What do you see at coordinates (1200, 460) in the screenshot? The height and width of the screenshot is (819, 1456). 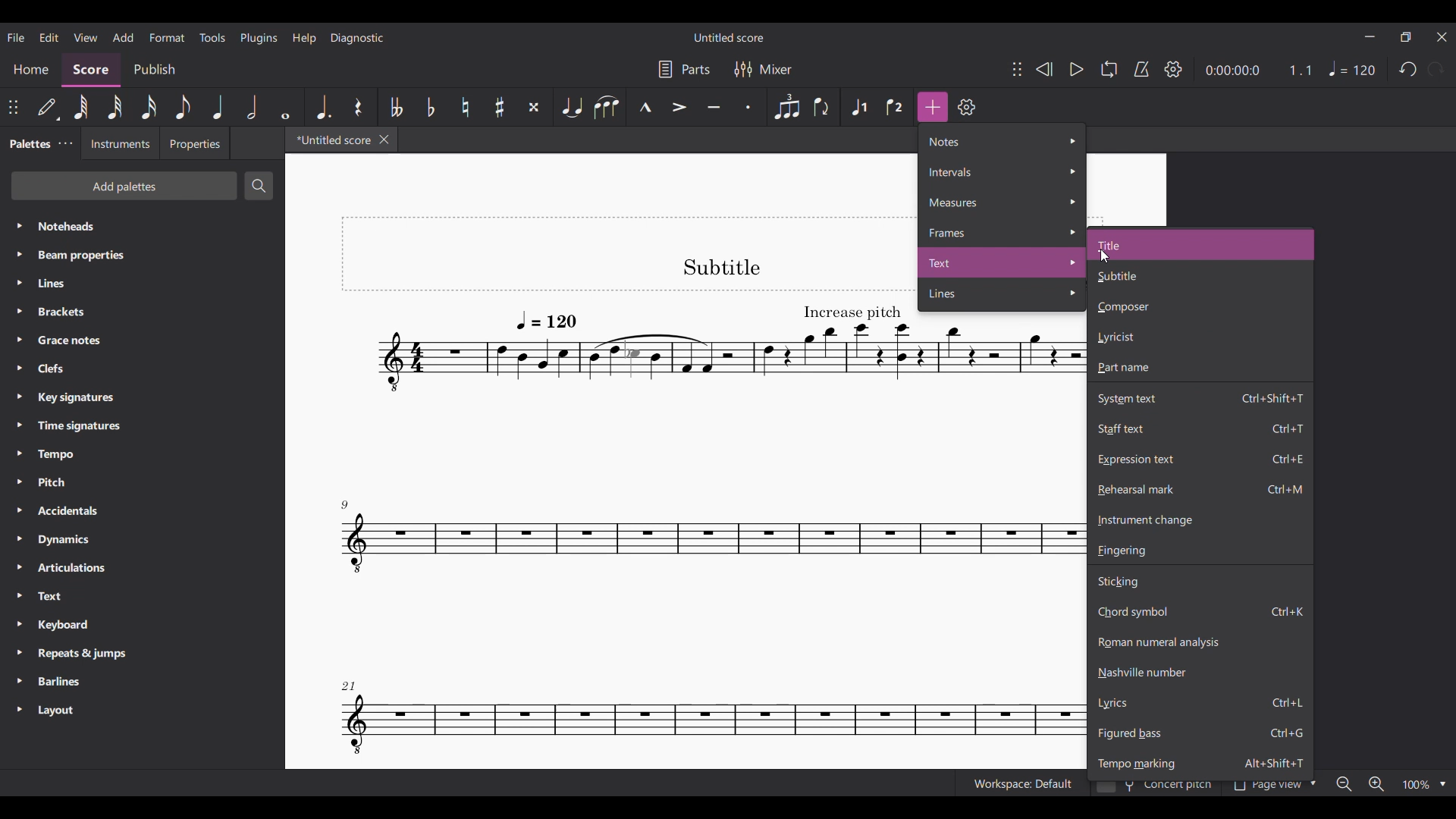 I see `Expression text` at bounding box center [1200, 460].